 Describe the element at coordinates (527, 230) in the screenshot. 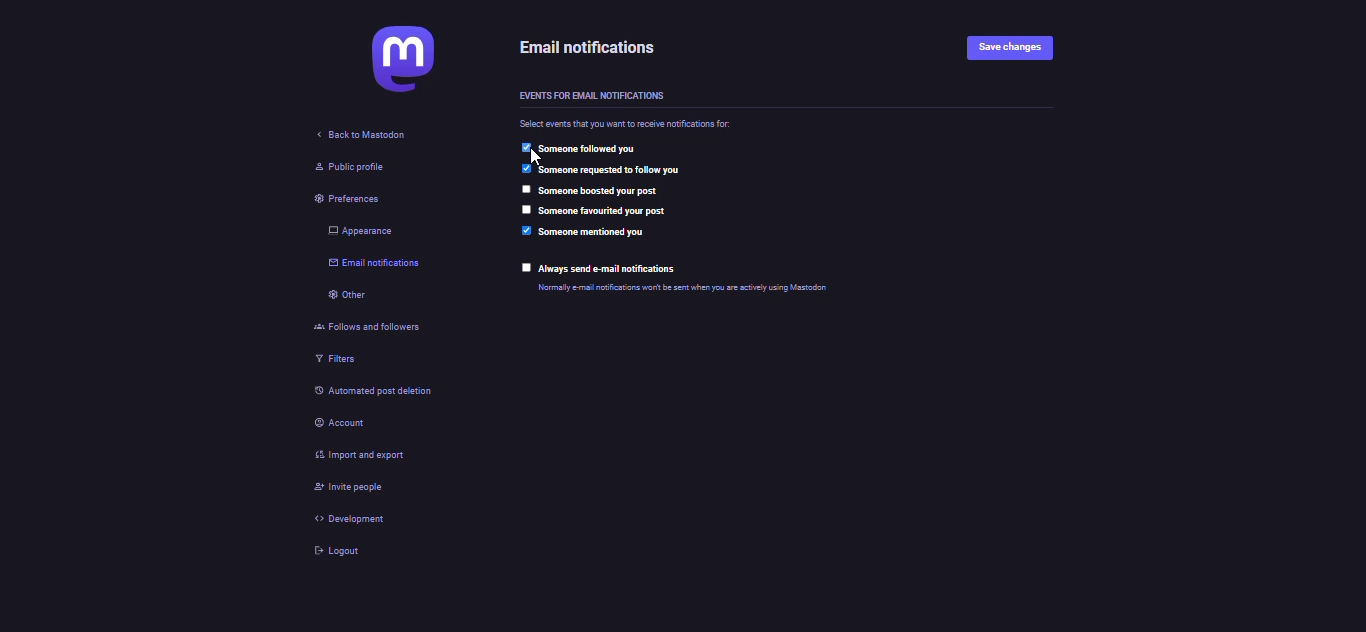

I see `enabled` at that location.